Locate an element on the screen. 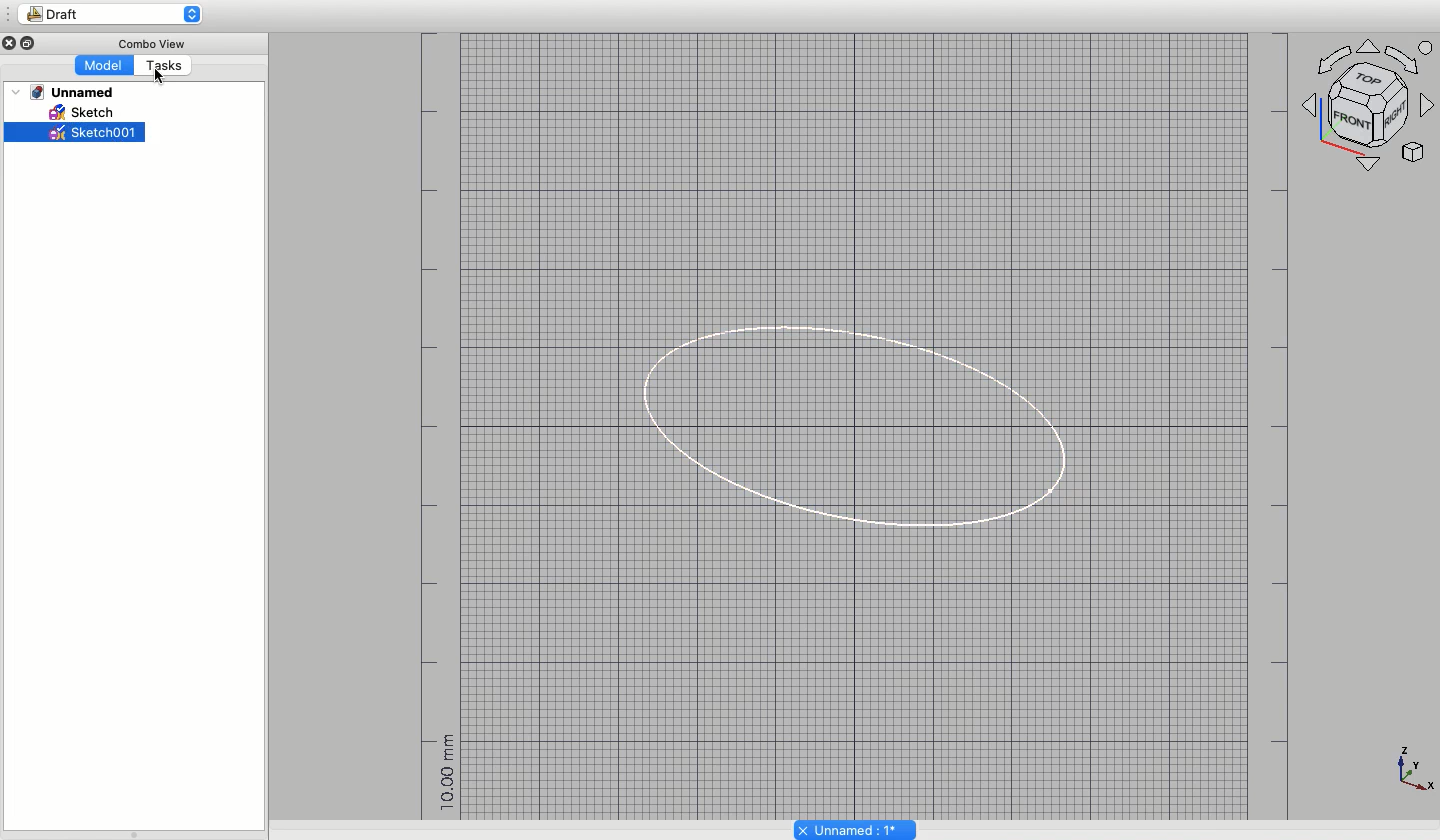 The image size is (1440, 840). Sketch is located at coordinates (82, 112).